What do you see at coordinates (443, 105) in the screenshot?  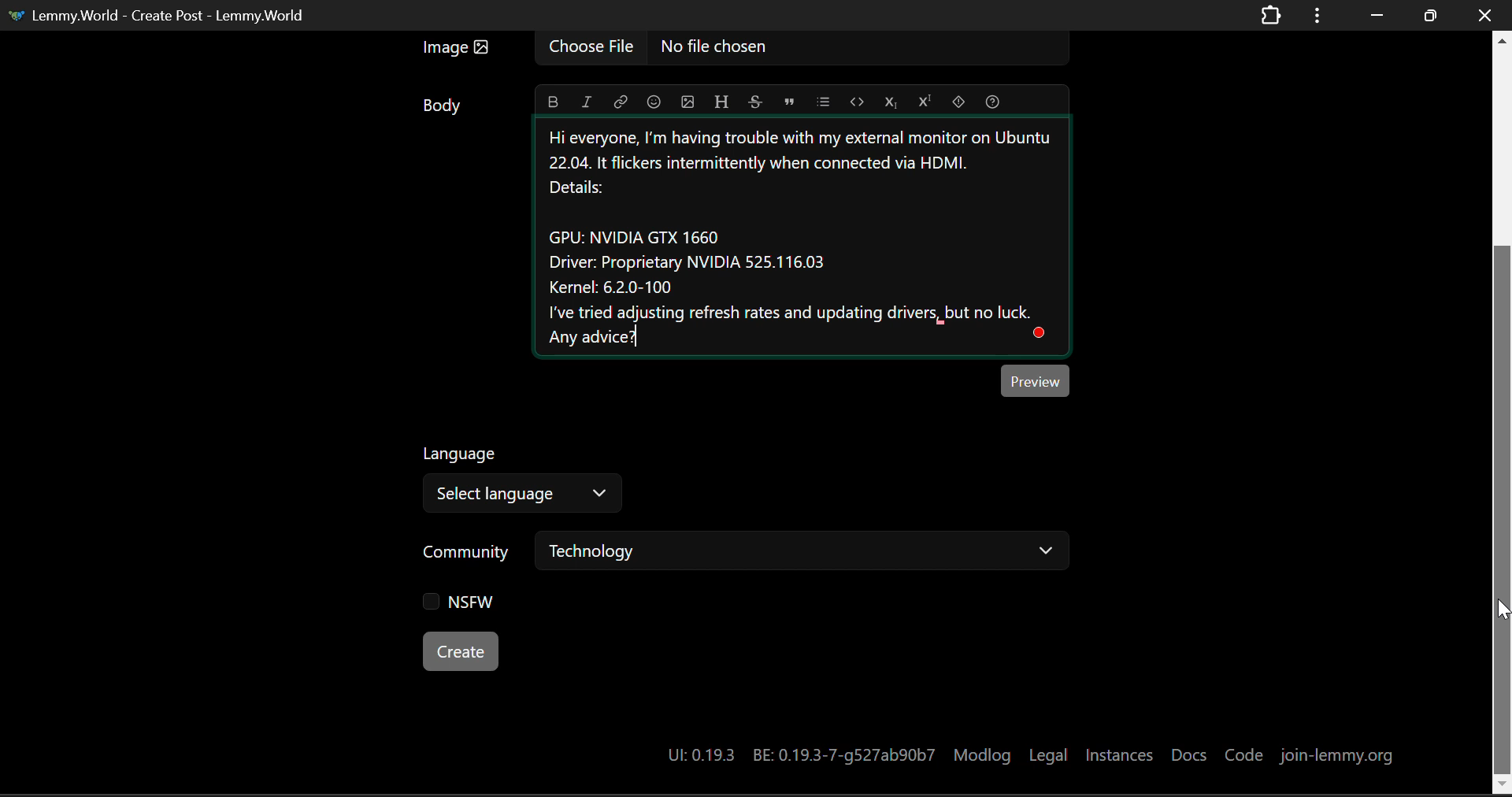 I see `Body` at bounding box center [443, 105].